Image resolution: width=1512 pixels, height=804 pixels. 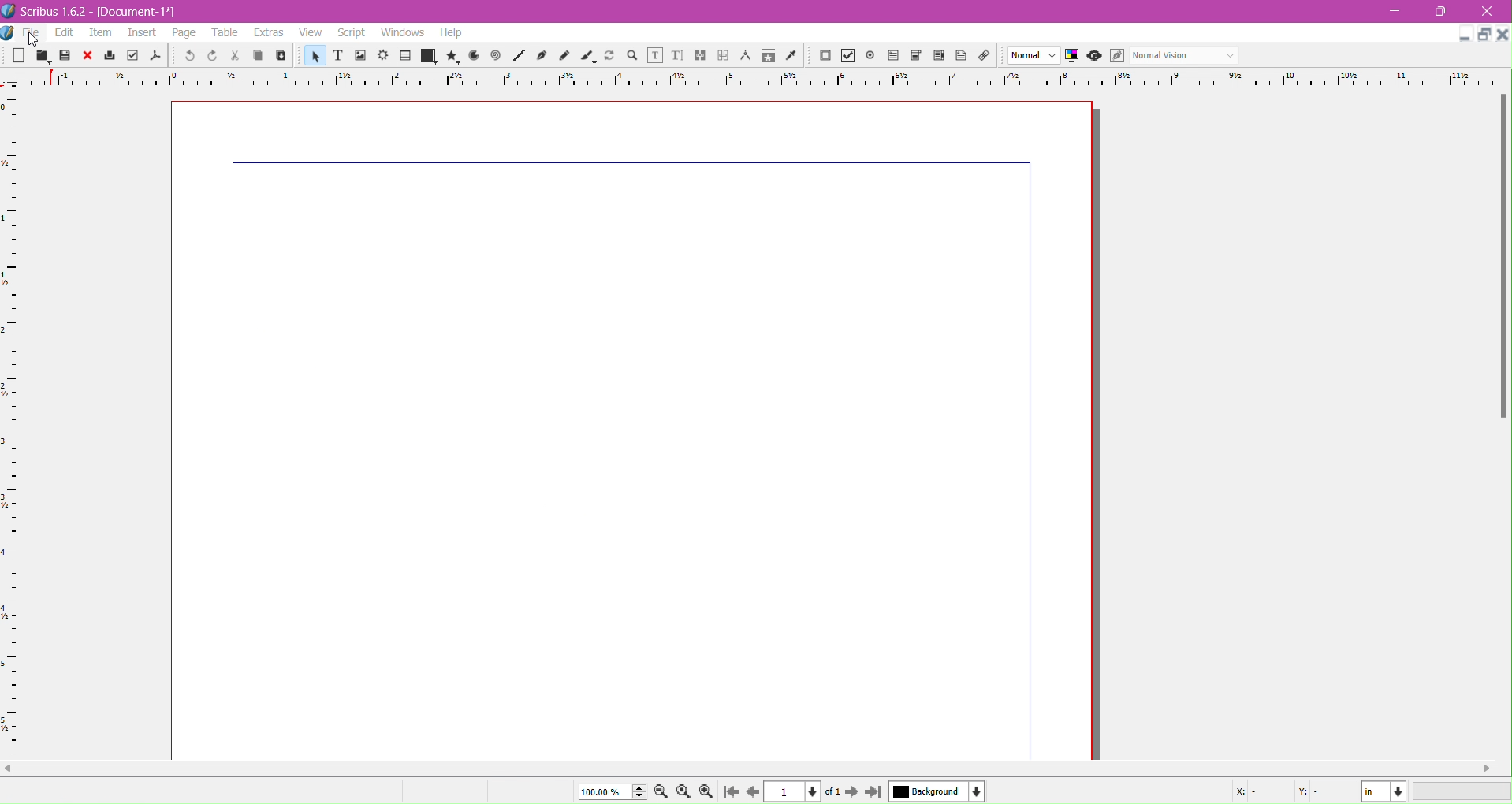 What do you see at coordinates (988, 56) in the screenshot?
I see `link annotations` at bounding box center [988, 56].